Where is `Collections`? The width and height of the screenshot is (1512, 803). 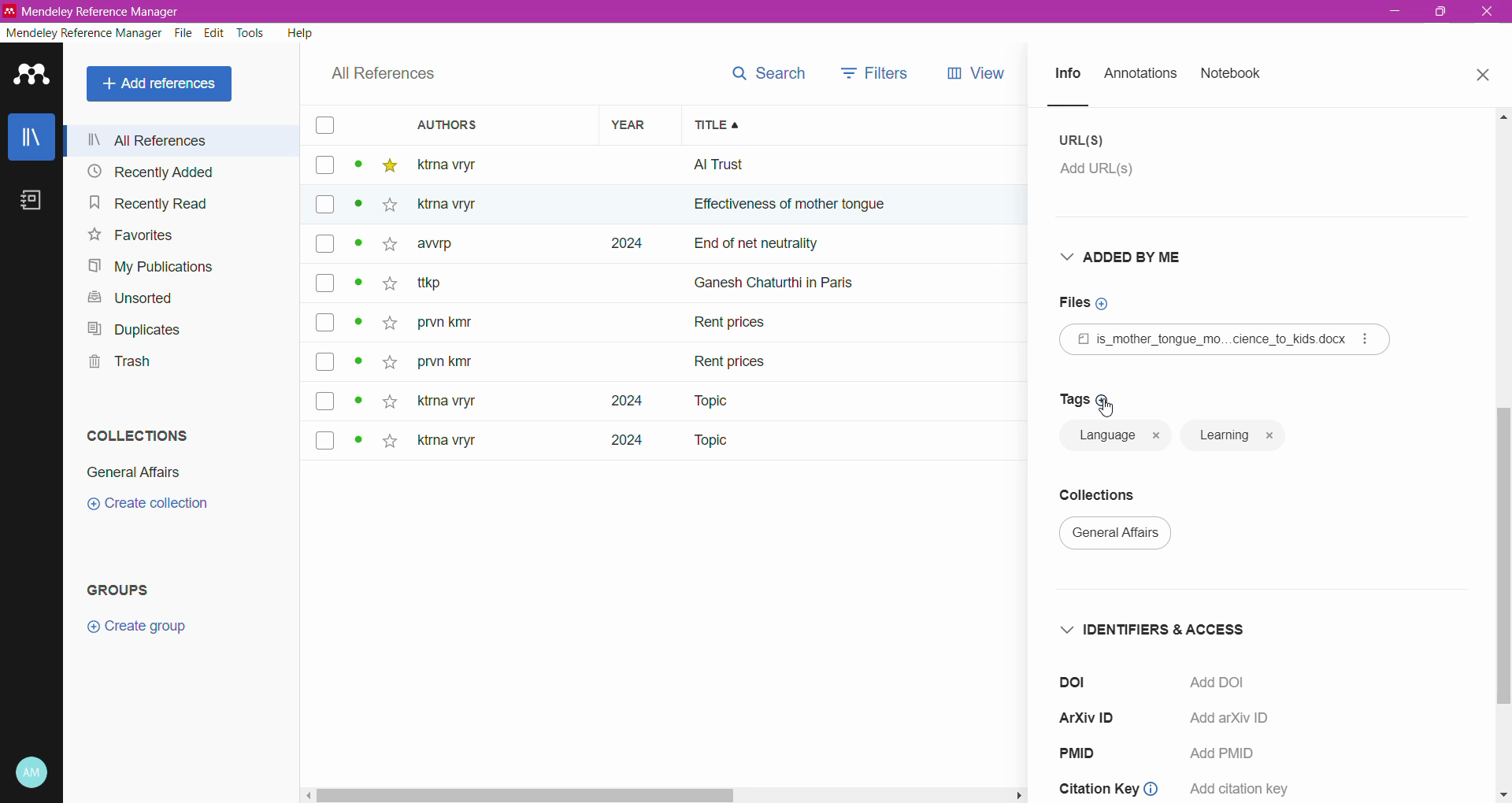
Collections is located at coordinates (1109, 491).